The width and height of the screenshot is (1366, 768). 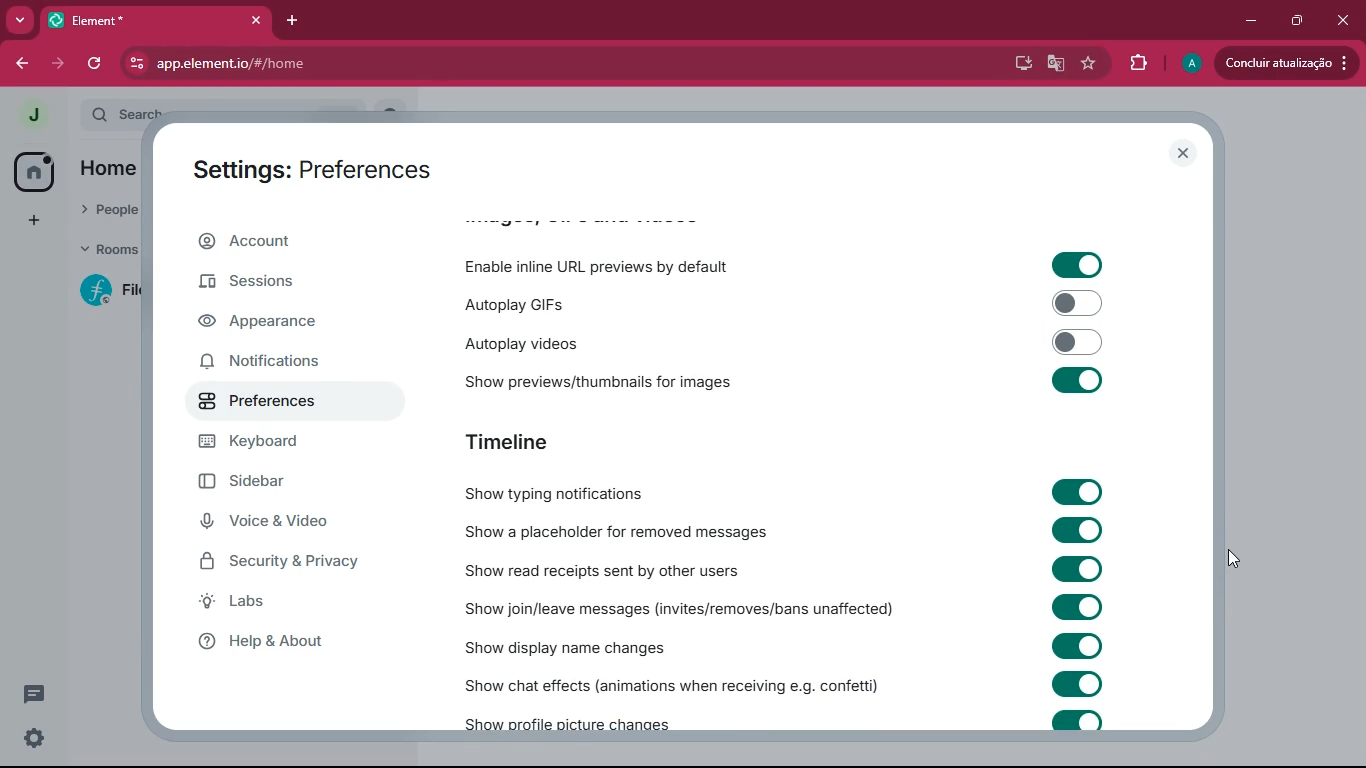 What do you see at coordinates (1078, 647) in the screenshot?
I see `toggle on/off` at bounding box center [1078, 647].